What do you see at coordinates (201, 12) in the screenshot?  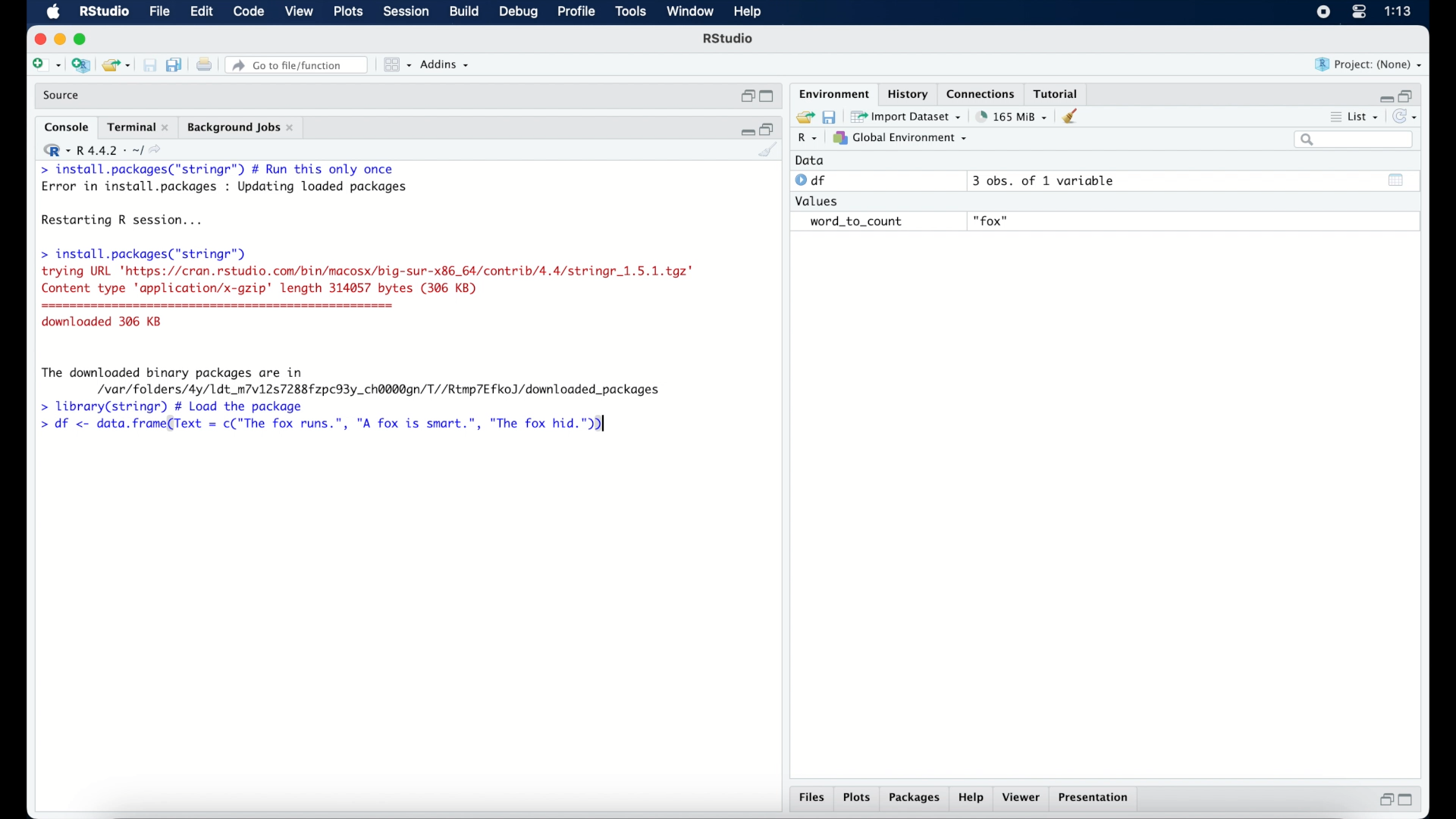 I see `edit` at bounding box center [201, 12].